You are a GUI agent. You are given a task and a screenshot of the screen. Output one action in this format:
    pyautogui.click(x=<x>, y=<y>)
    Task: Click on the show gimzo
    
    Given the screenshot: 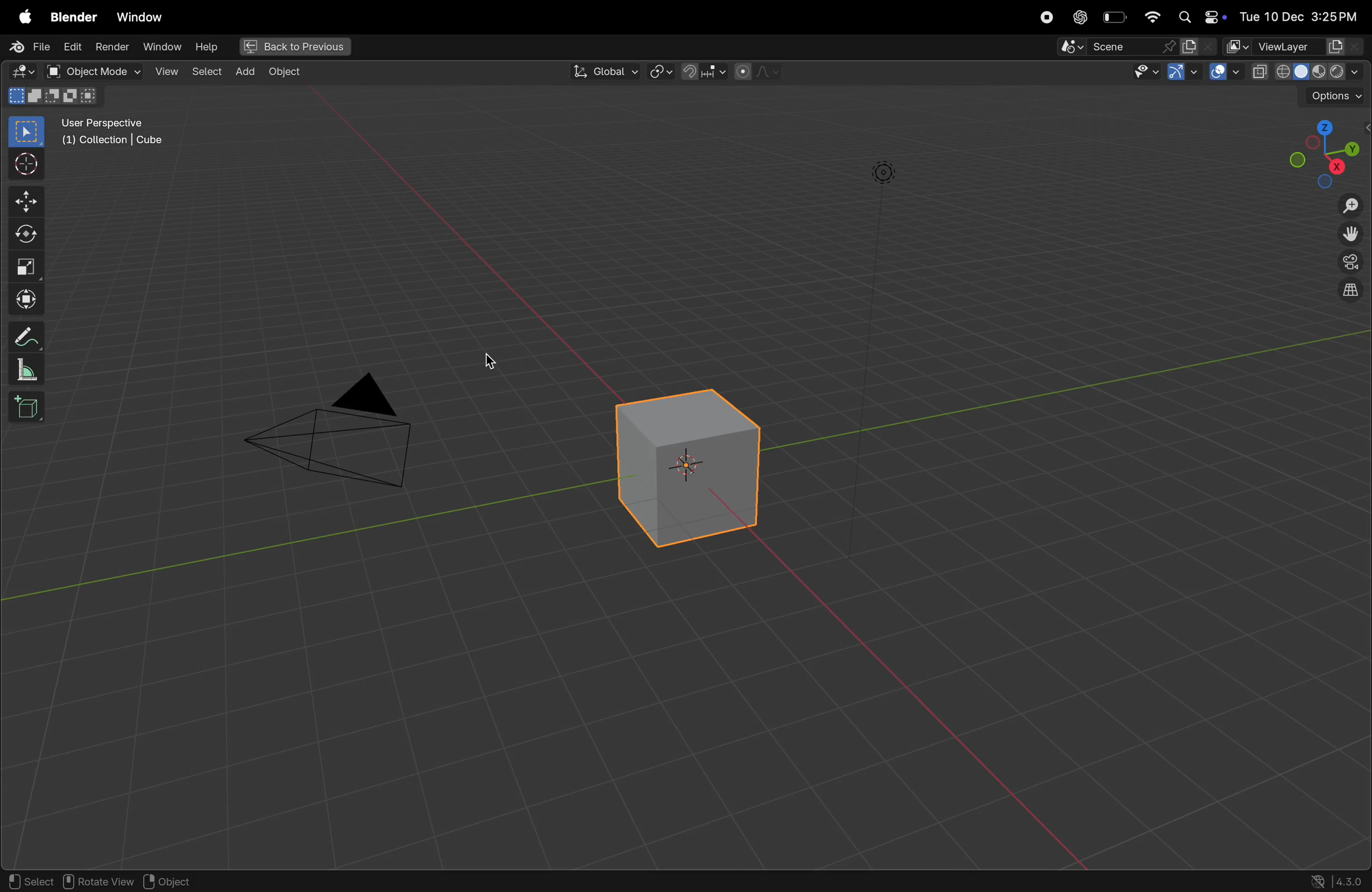 What is the action you would take?
    pyautogui.click(x=1181, y=73)
    